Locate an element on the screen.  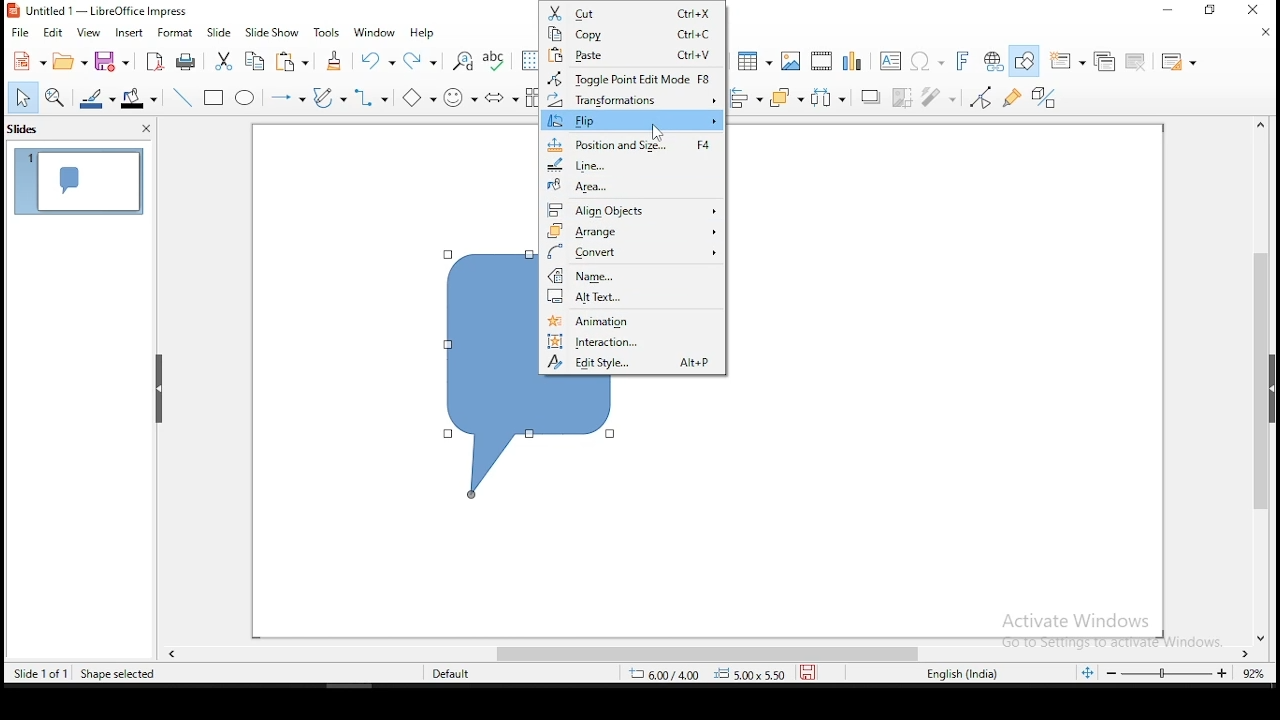
n is located at coordinates (632, 276).